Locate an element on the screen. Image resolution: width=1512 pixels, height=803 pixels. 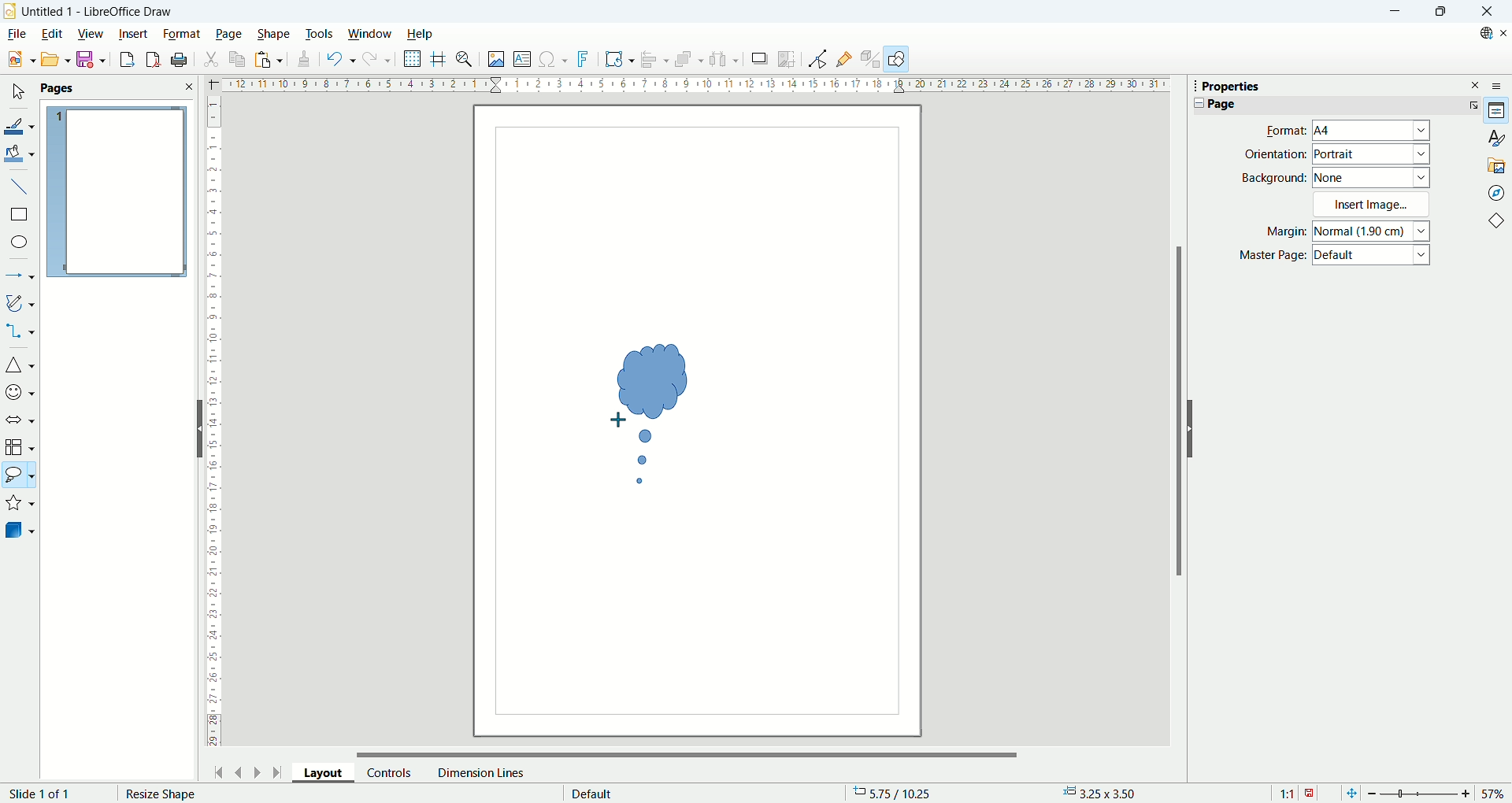
Default is located at coordinates (1373, 257).